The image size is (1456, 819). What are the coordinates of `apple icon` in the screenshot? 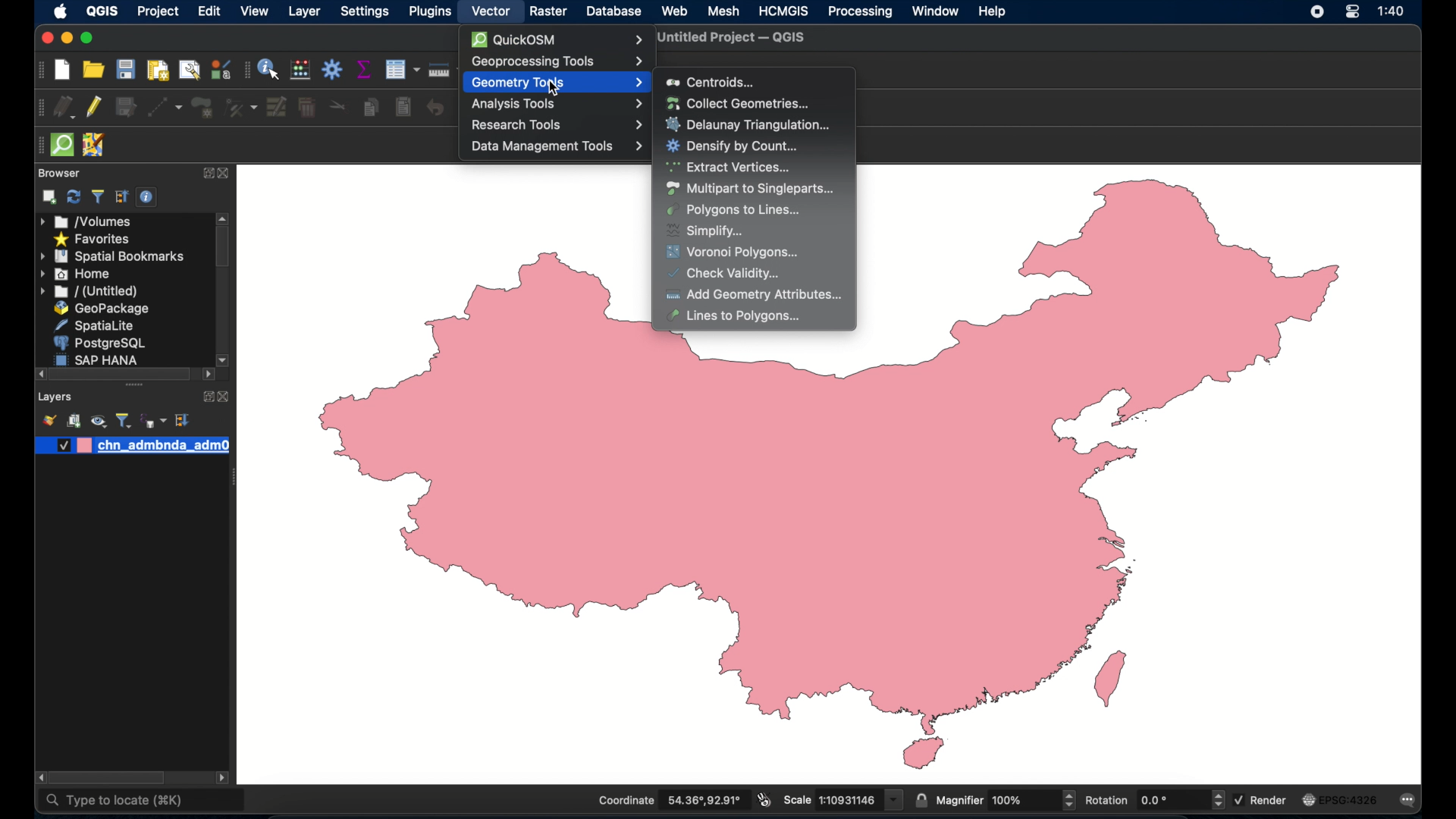 It's located at (61, 12).